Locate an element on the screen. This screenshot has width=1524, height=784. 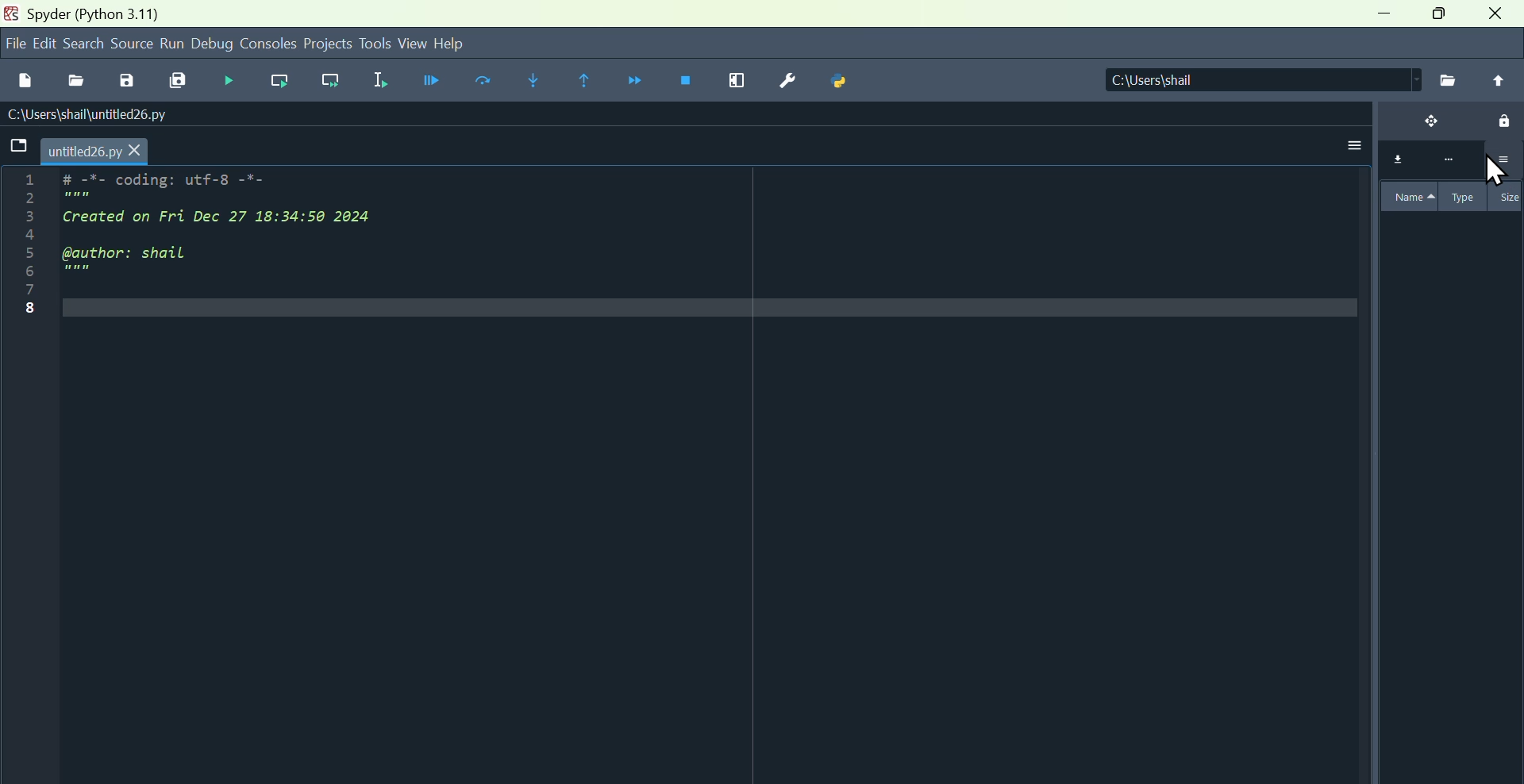
Folders is located at coordinates (16, 148).